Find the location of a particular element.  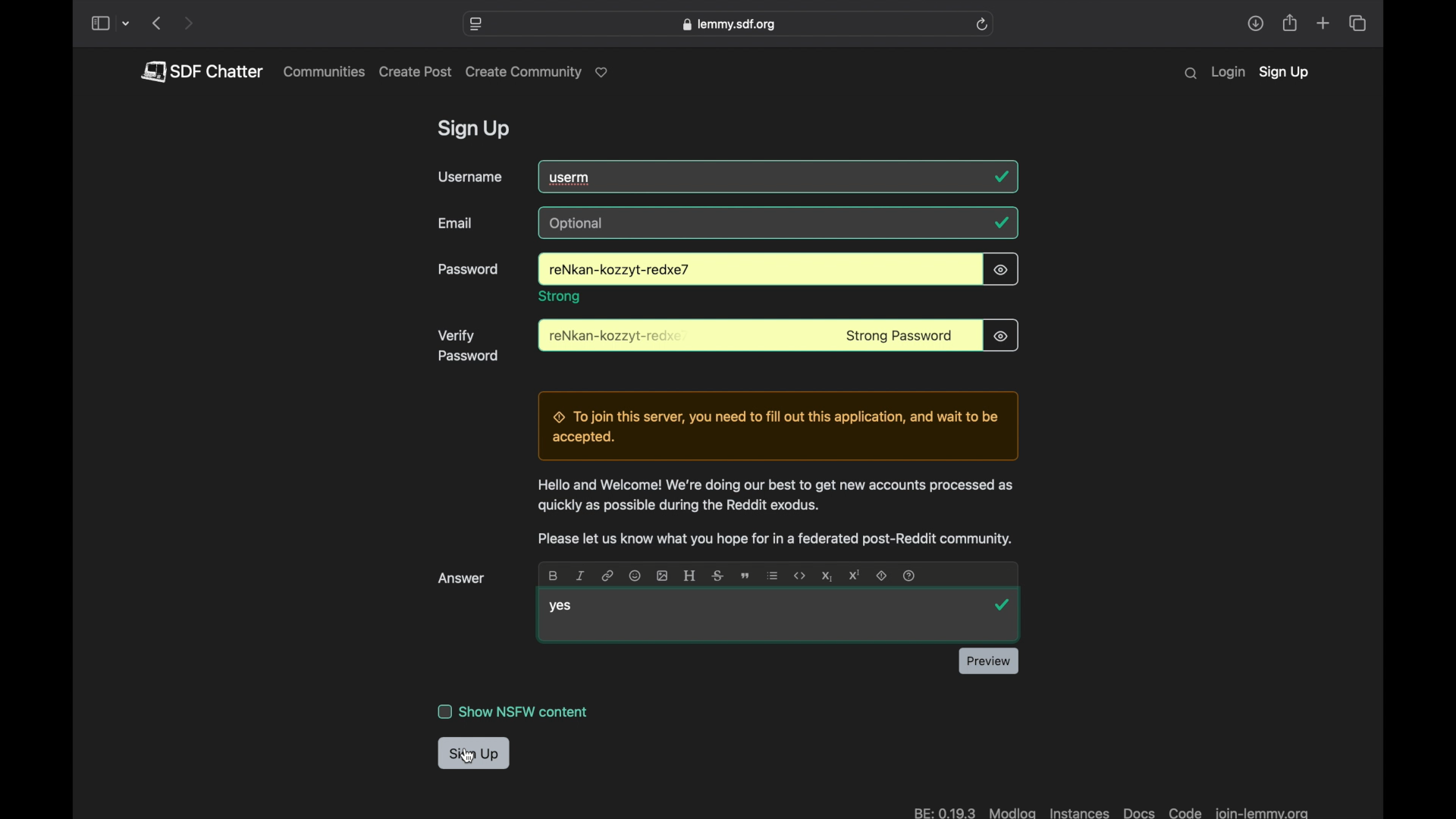

image is located at coordinates (663, 576).